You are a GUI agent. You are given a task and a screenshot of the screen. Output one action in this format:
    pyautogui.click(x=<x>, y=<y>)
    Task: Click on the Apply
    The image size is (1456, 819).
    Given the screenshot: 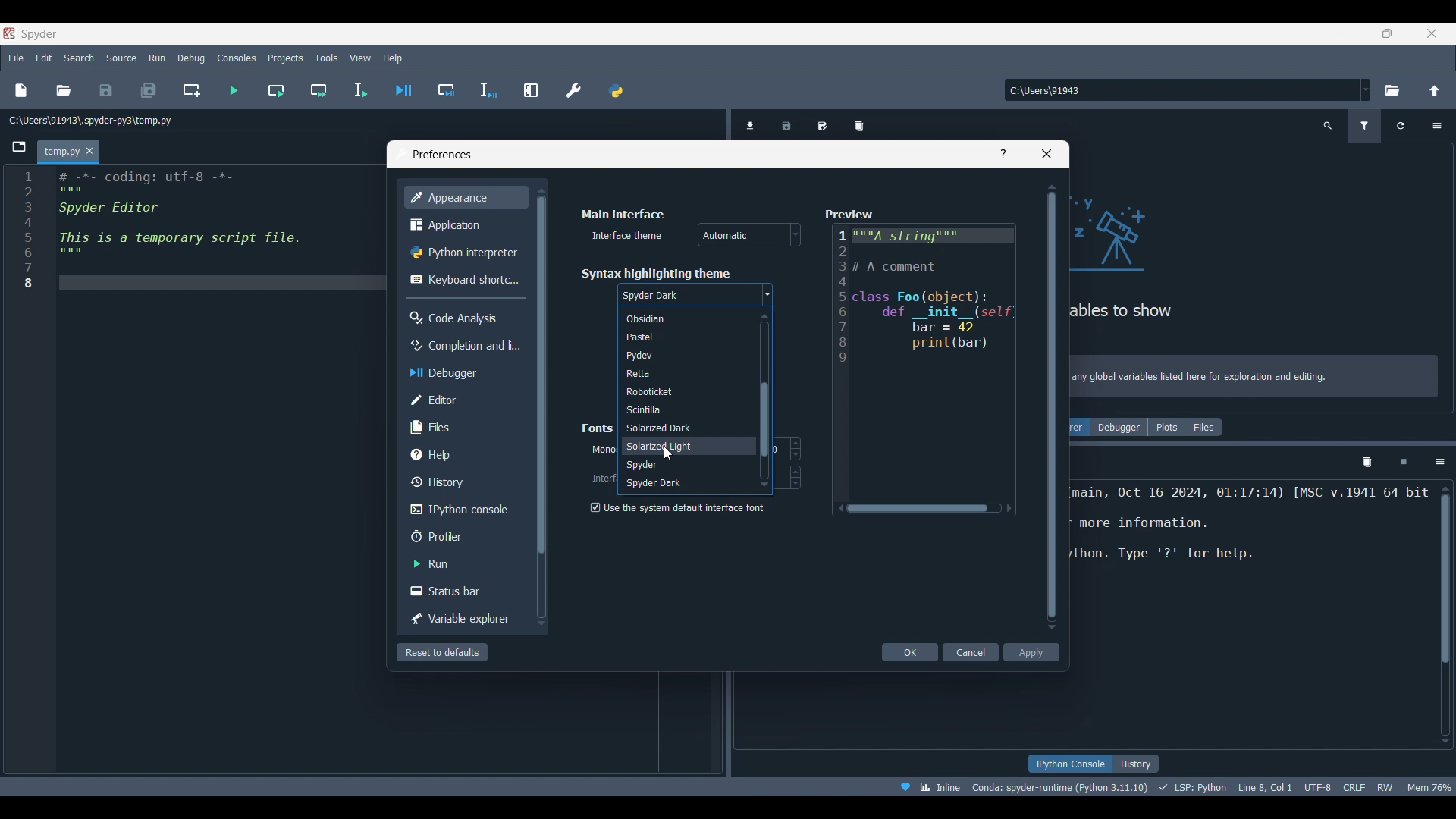 What is the action you would take?
    pyautogui.click(x=1032, y=652)
    